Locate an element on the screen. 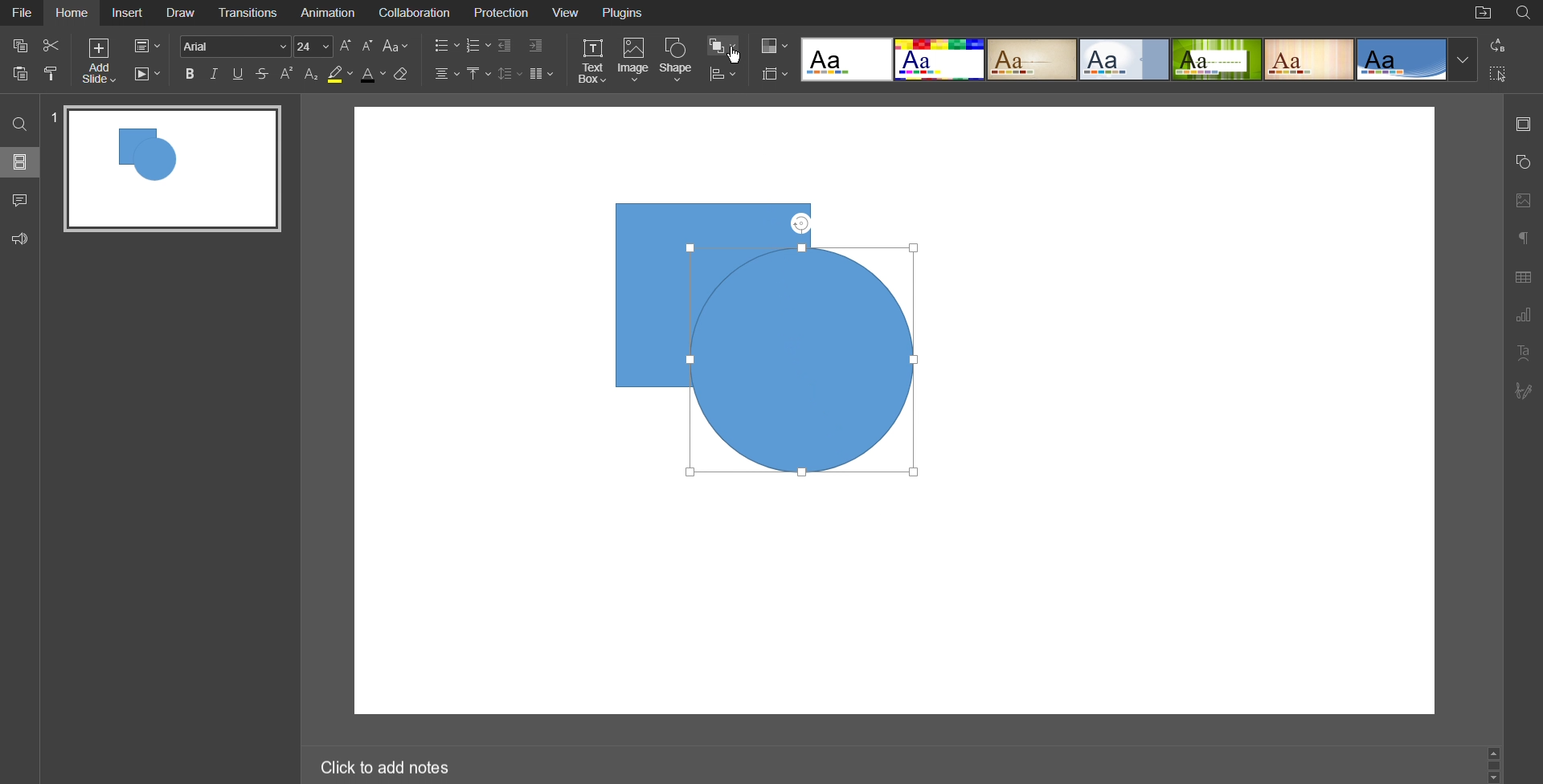  Click to add notes is located at coordinates (385, 766).